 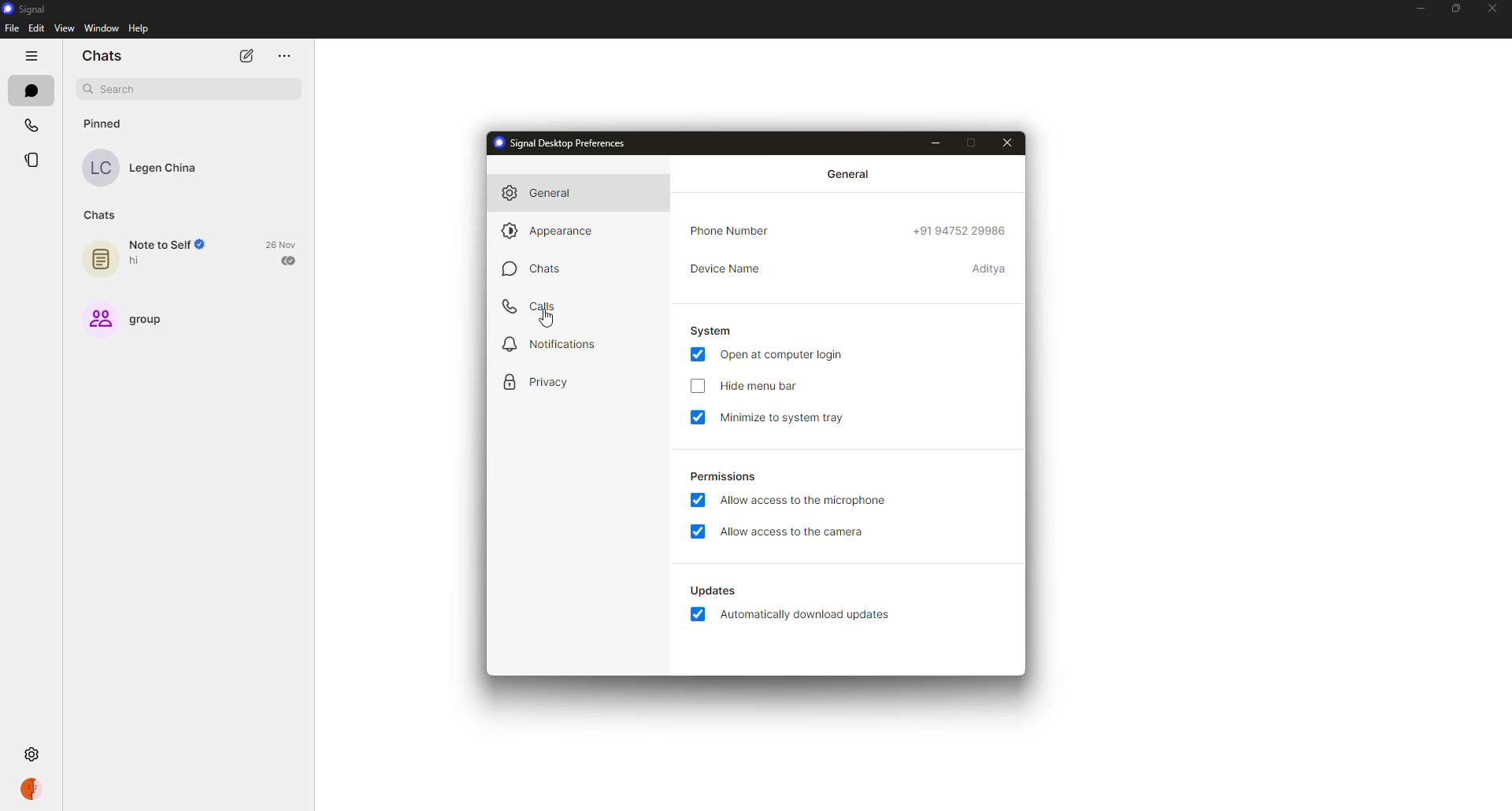 What do you see at coordinates (761, 387) in the screenshot?
I see `hide menu bar` at bounding box center [761, 387].